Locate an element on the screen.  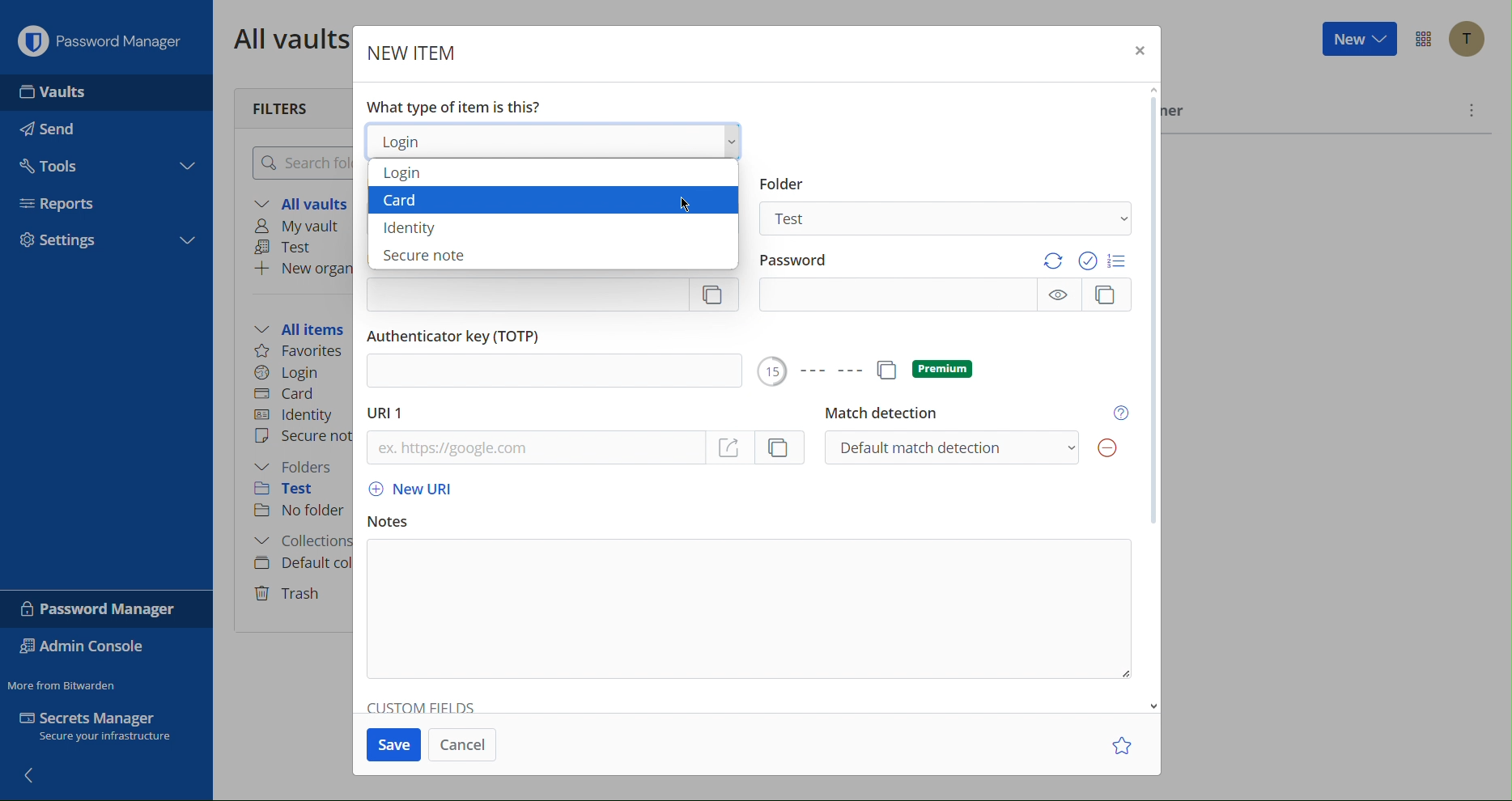
Folders is located at coordinates (297, 468).